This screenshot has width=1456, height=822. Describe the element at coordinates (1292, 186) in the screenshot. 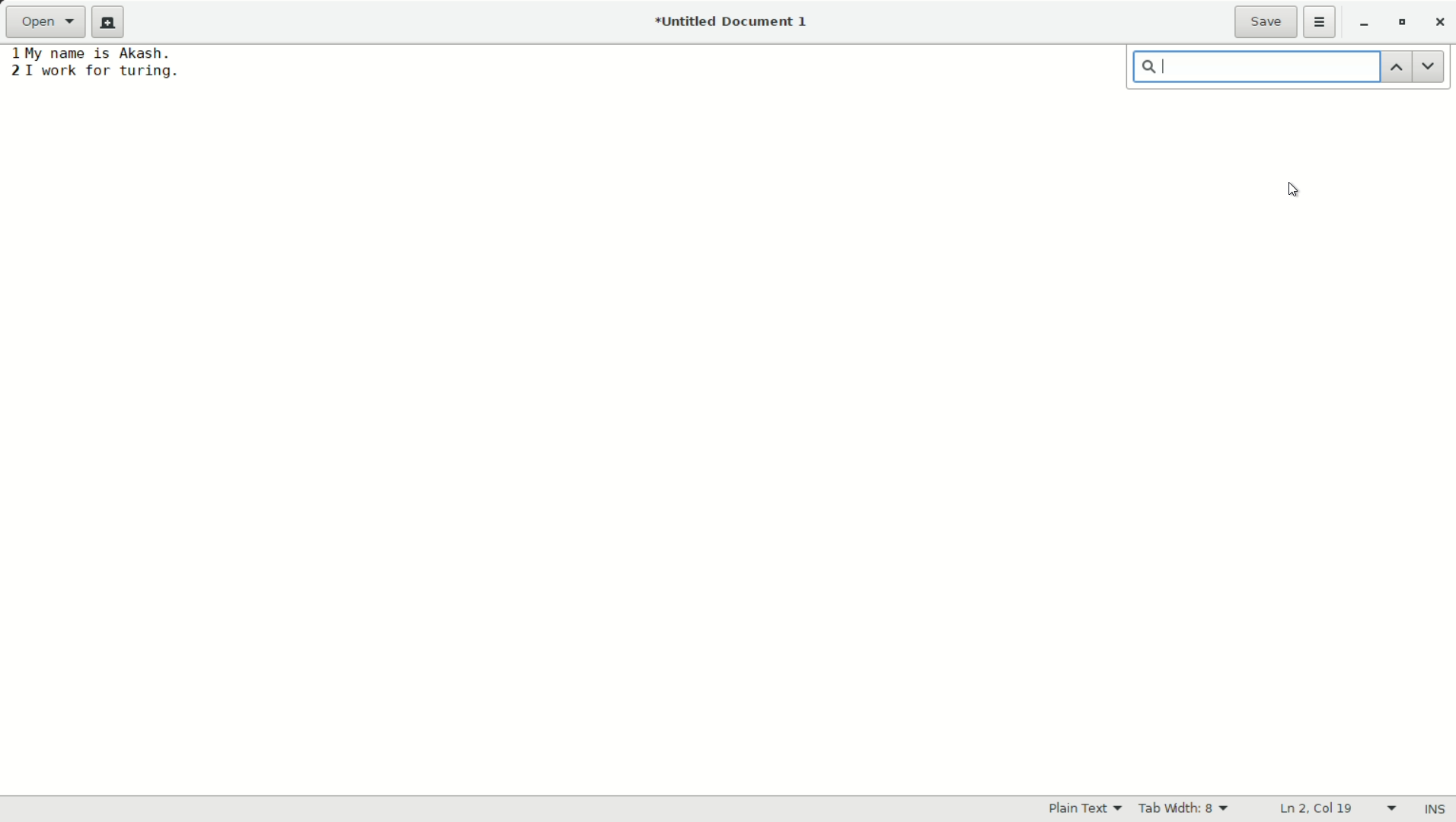

I see `cursor` at that location.